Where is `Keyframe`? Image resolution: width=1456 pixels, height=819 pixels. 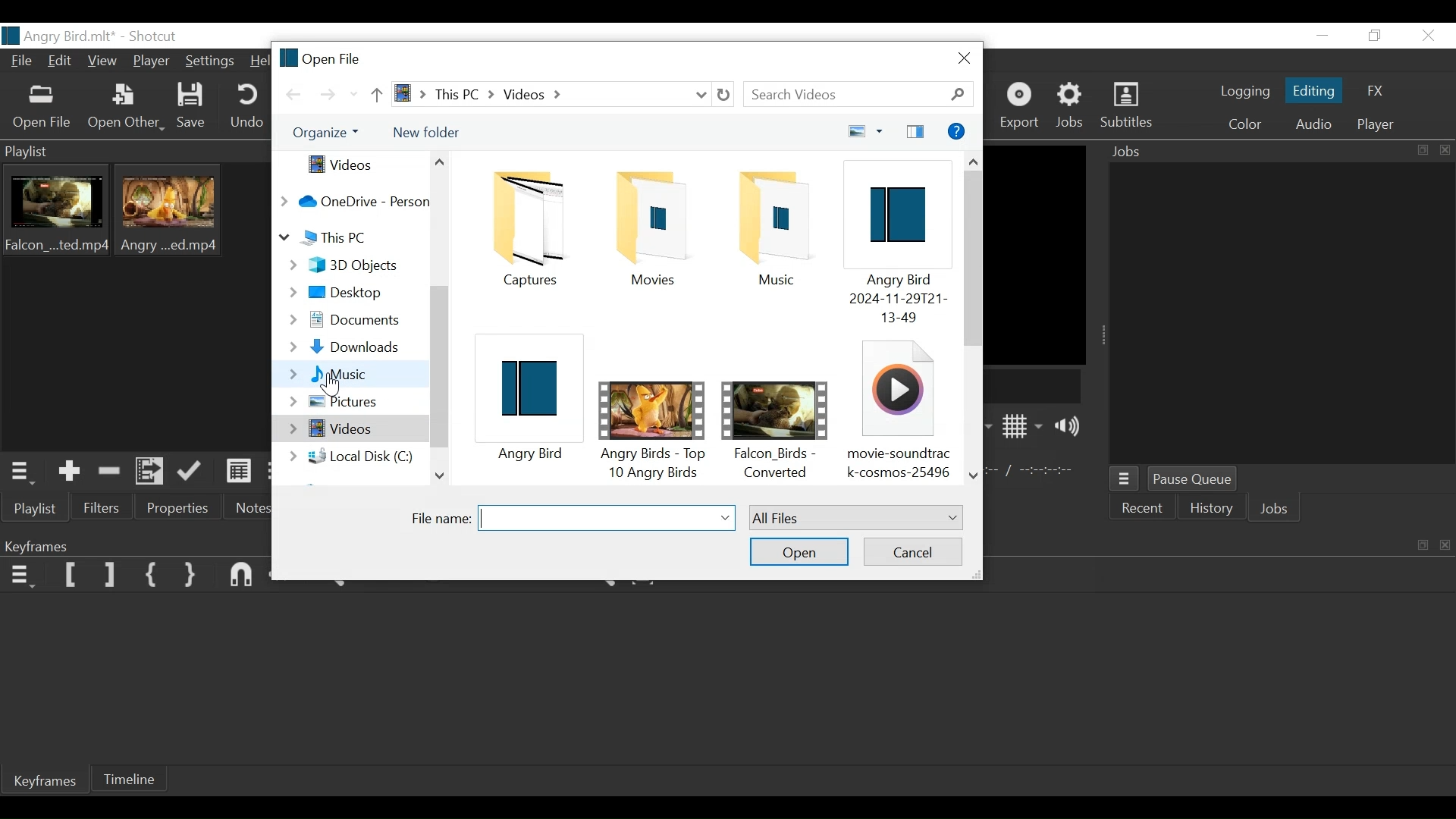
Keyframe is located at coordinates (42, 782).